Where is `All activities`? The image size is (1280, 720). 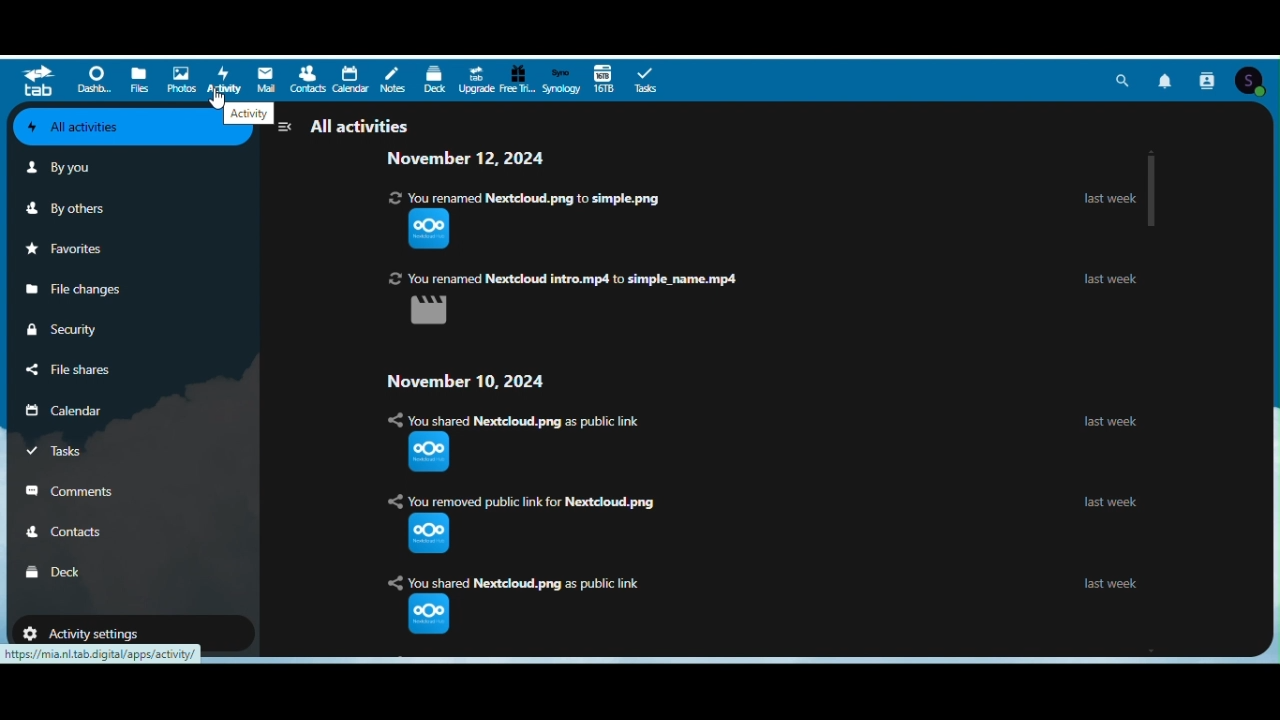
All activities is located at coordinates (349, 124).